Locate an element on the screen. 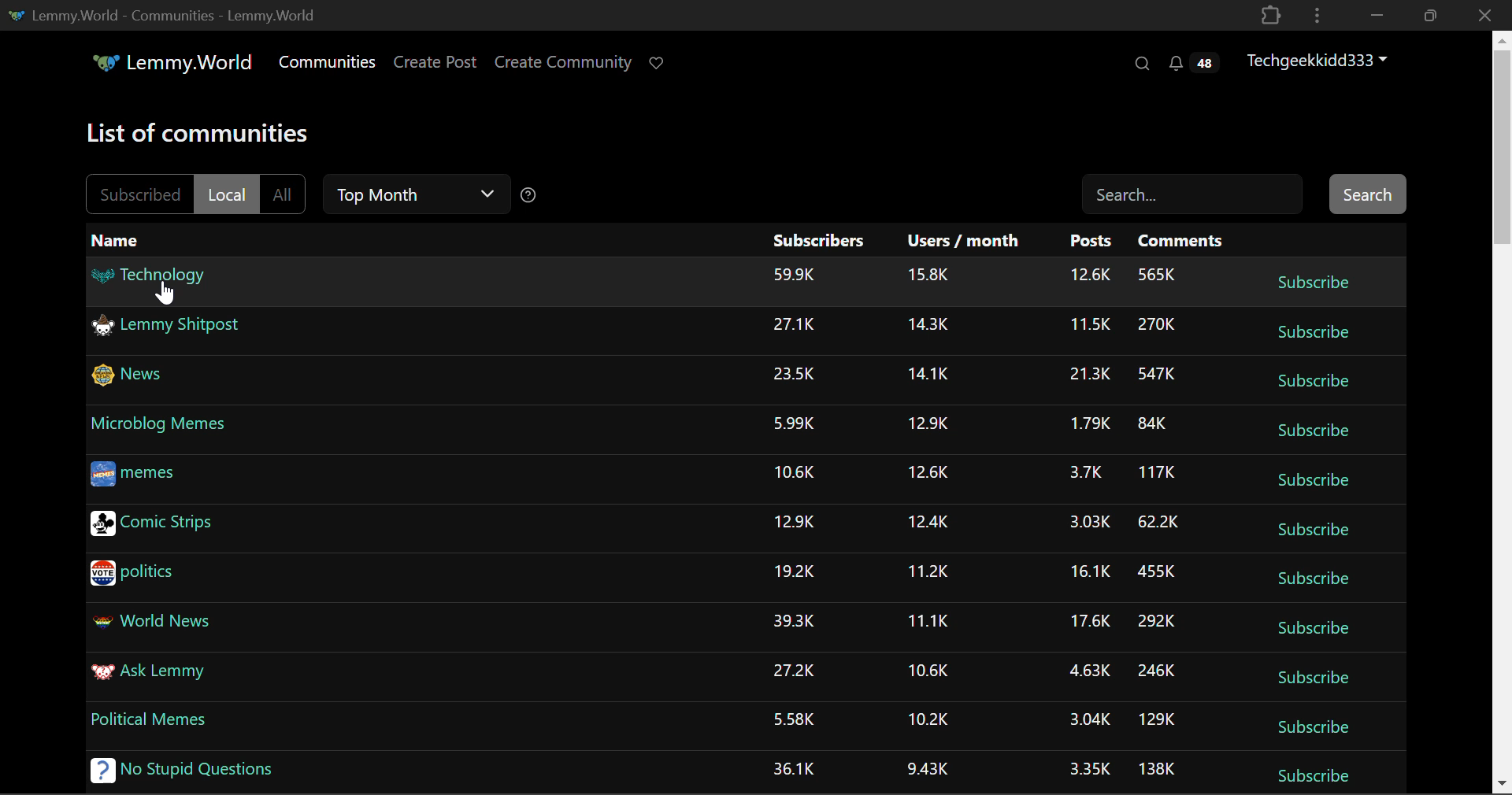 The image size is (1512, 795). Sorting Help is located at coordinates (530, 194).